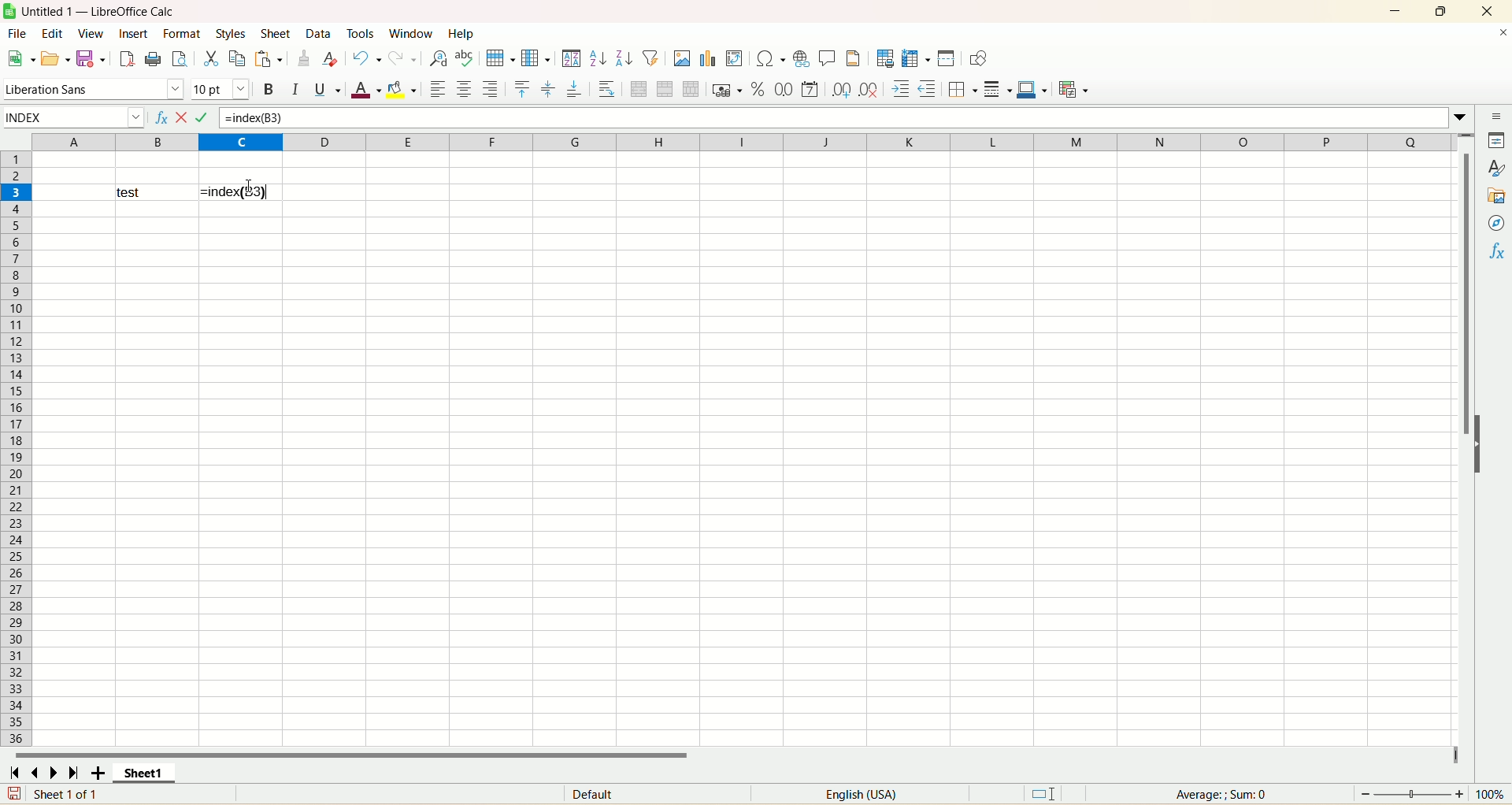  I want to click on function wizard, so click(160, 118).